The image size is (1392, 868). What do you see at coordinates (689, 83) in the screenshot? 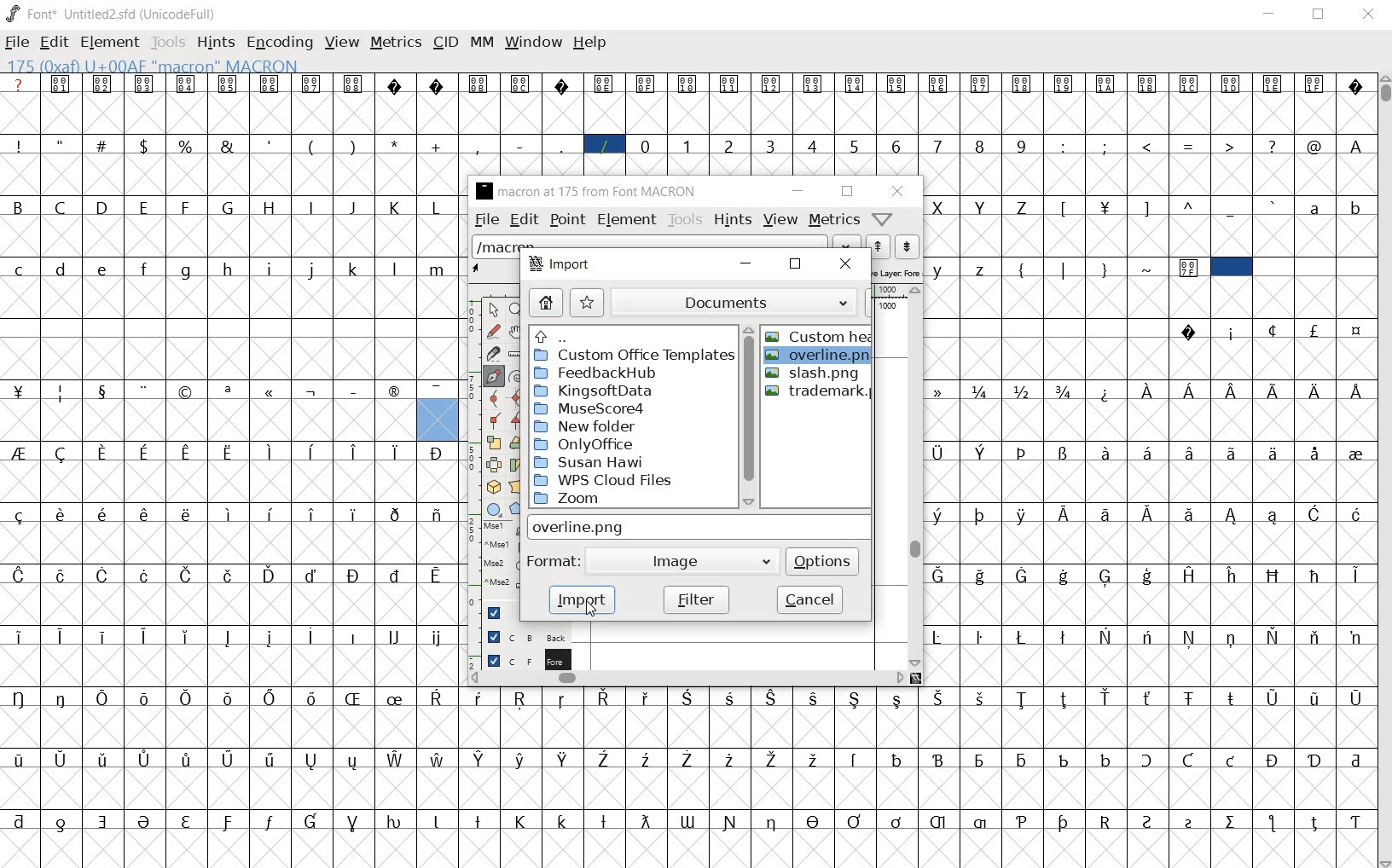
I see `Symbol` at bounding box center [689, 83].